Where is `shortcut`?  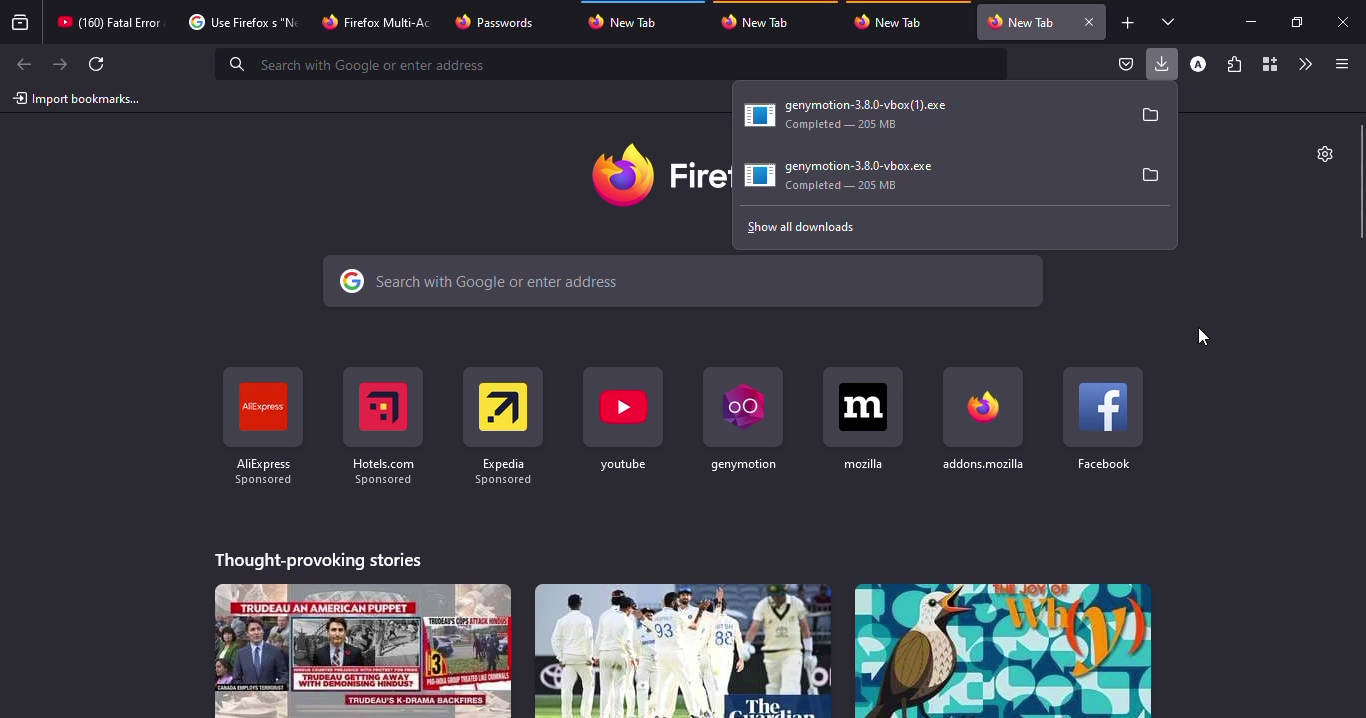
shortcut is located at coordinates (624, 422).